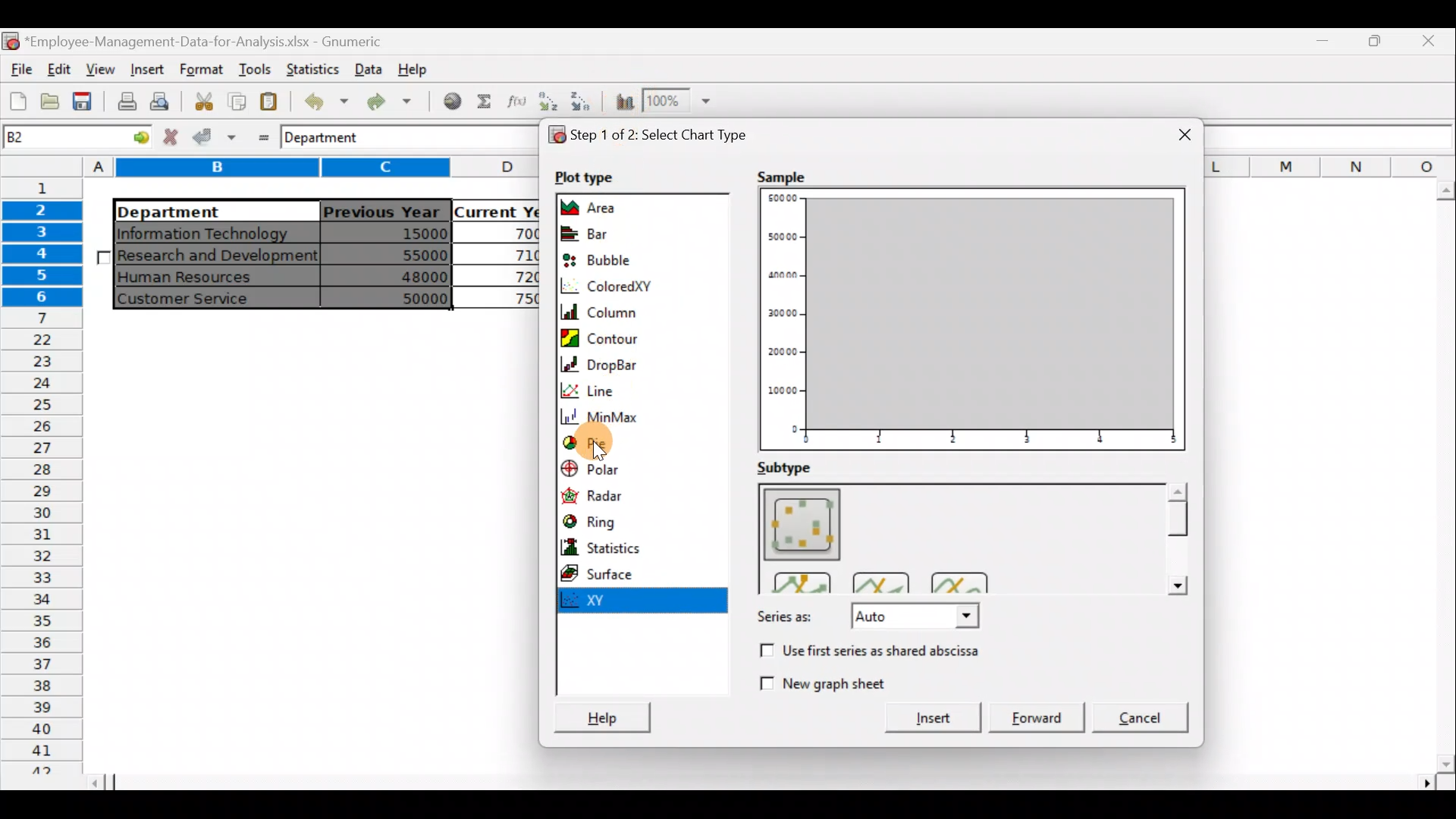 This screenshot has width=1456, height=819. I want to click on Help, so click(416, 73).